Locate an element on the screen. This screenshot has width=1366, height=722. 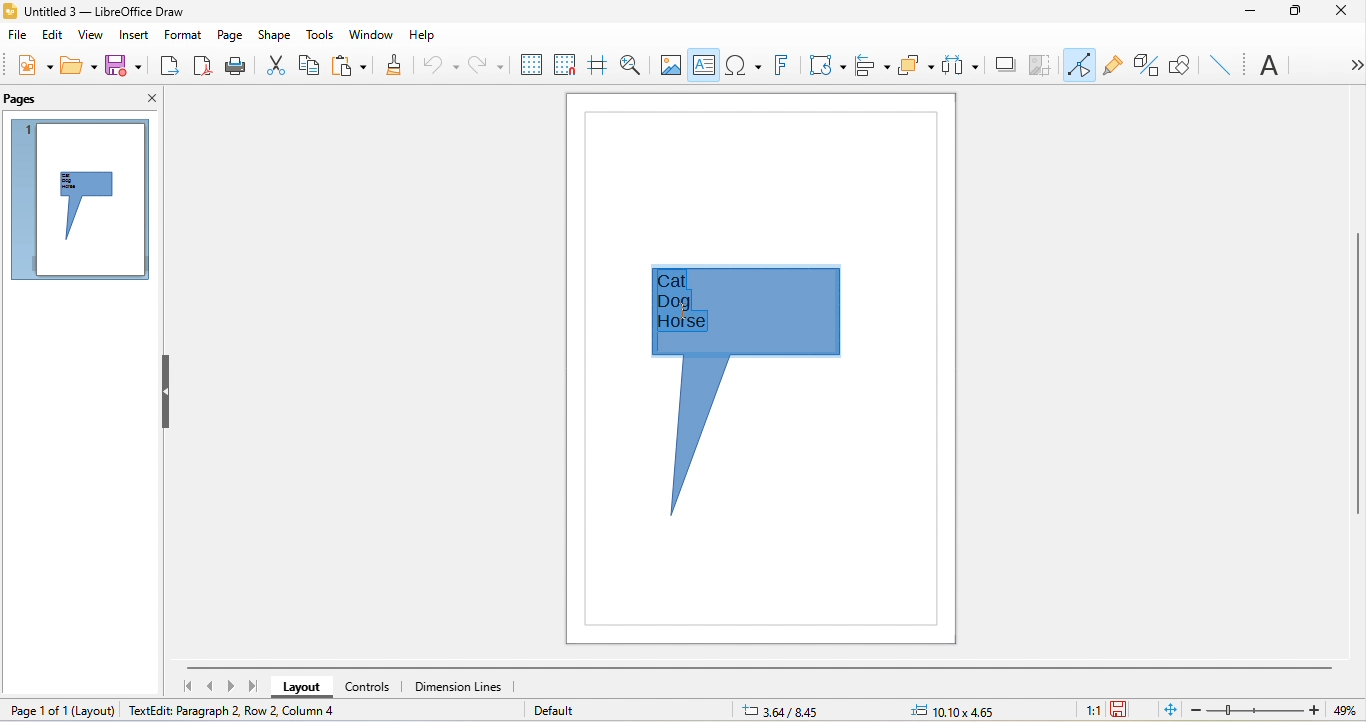
shadow is located at coordinates (1004, 68).